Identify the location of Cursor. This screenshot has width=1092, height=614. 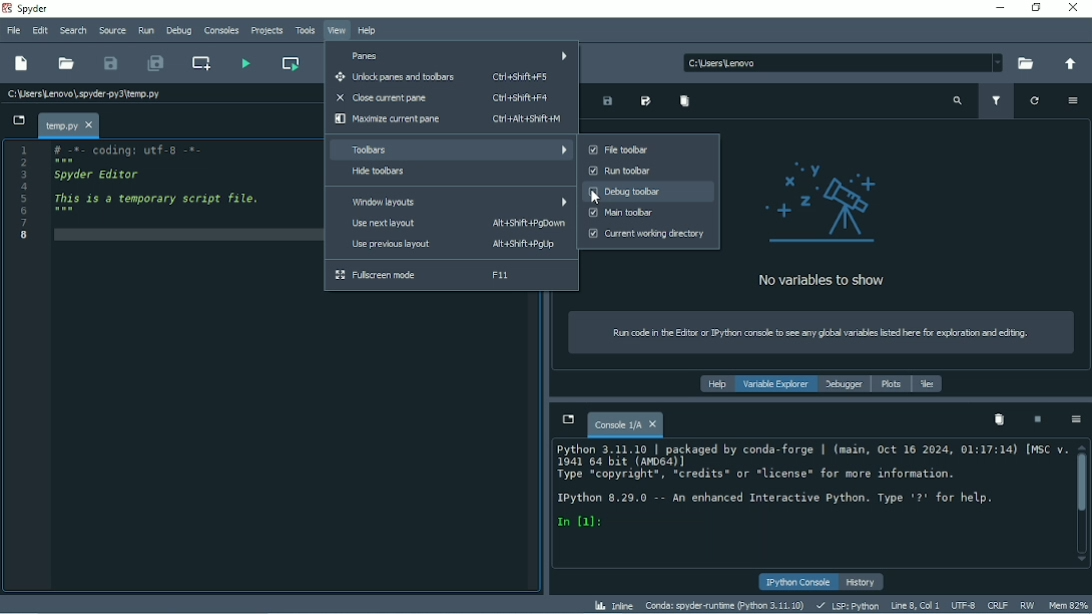
(594, 199).